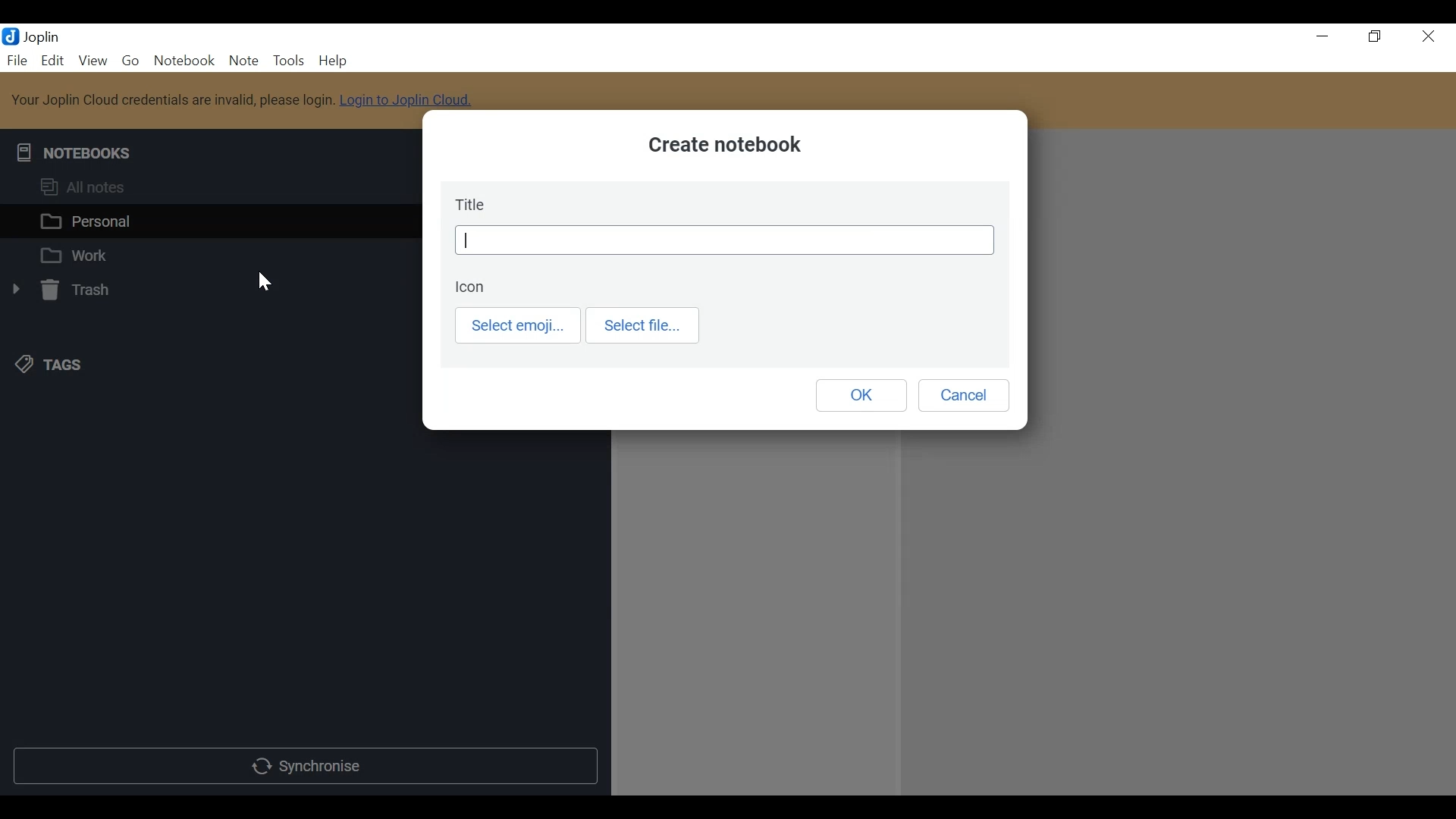  I want to click on Tags, so click(46, 365).